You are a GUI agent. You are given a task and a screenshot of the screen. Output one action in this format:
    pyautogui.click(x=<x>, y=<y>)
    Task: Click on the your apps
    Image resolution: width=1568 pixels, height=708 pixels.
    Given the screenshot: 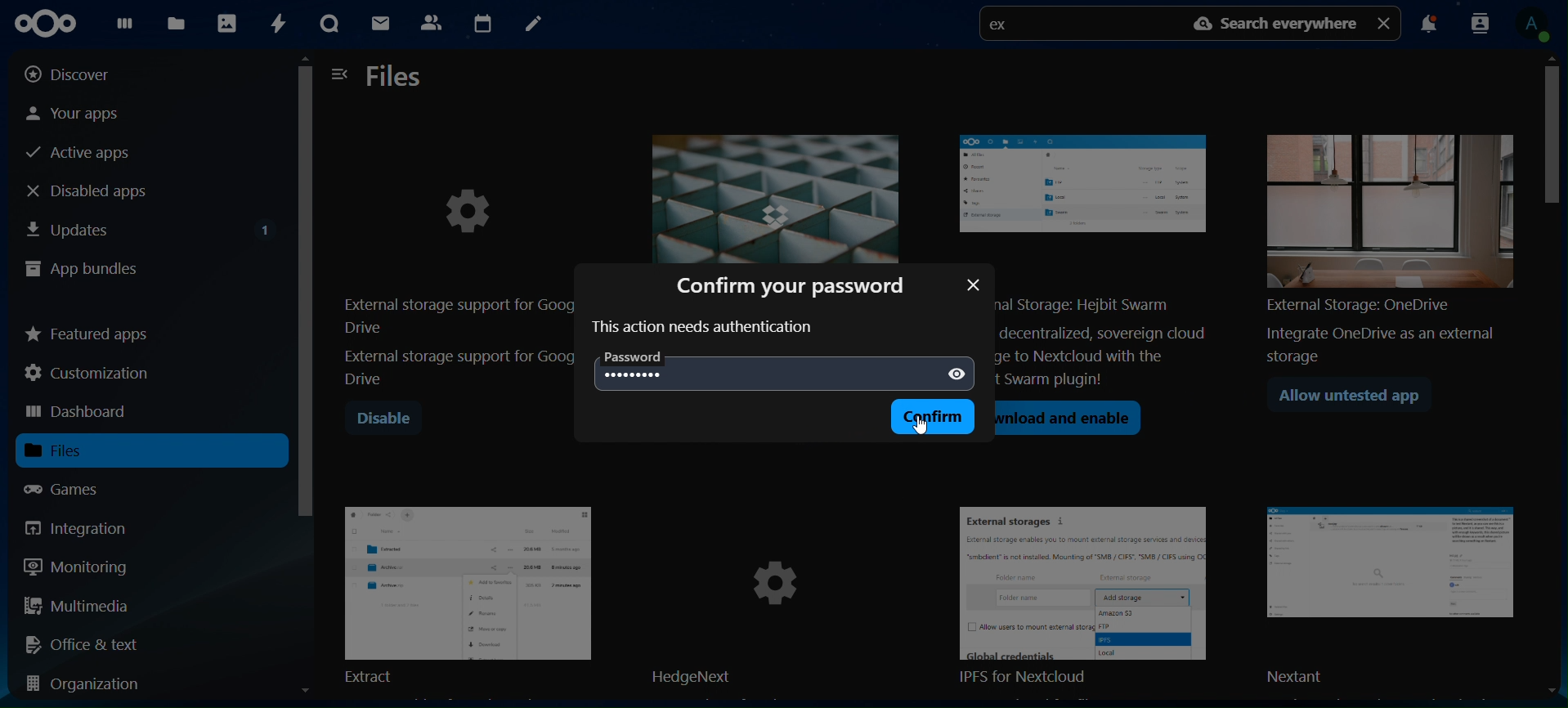 What is the action you would take?
    pyautogui.click(x=89, y=112)
    